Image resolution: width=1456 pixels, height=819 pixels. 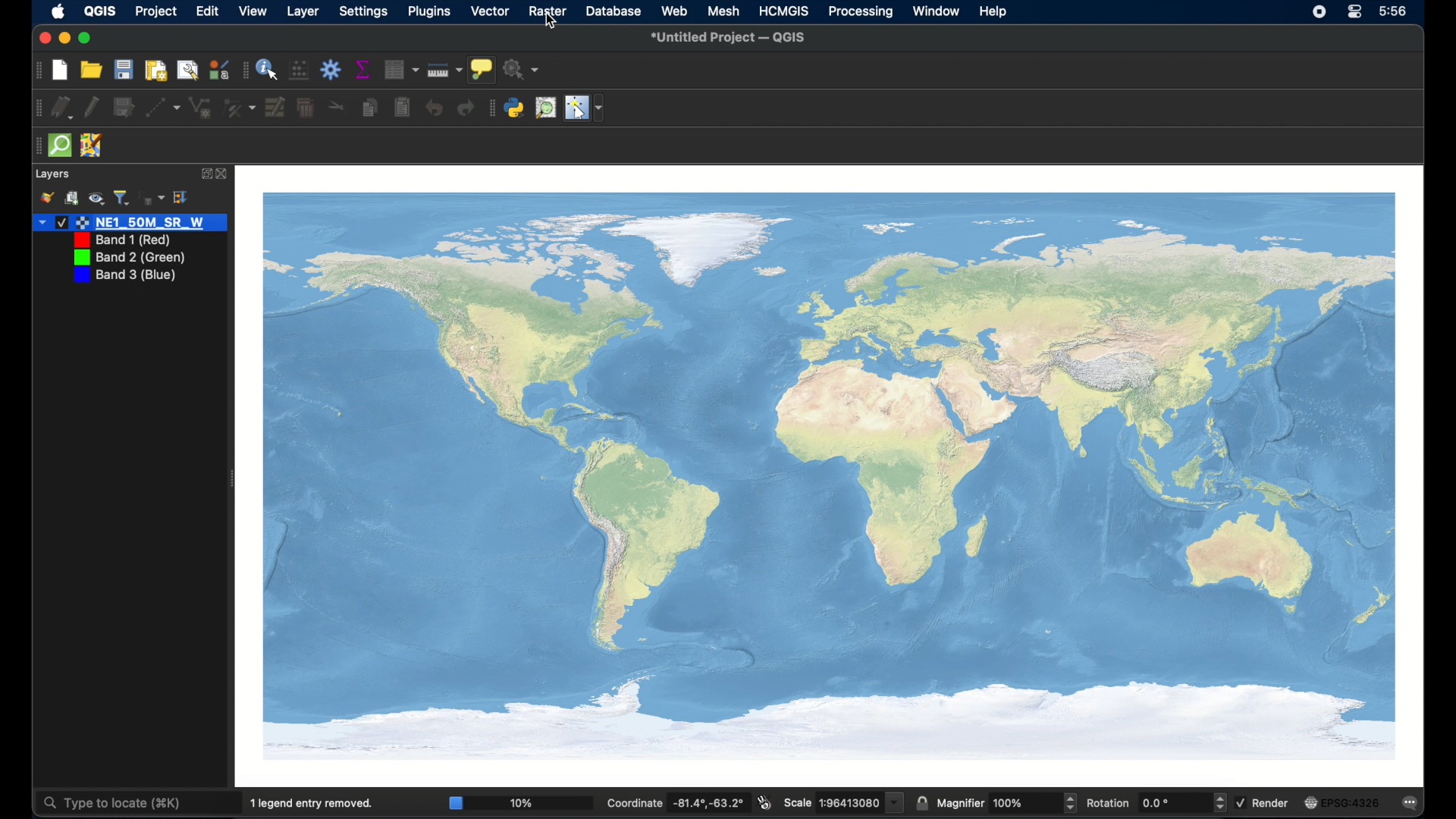 I want to click on open layout manager, so click(x=188, y=69).